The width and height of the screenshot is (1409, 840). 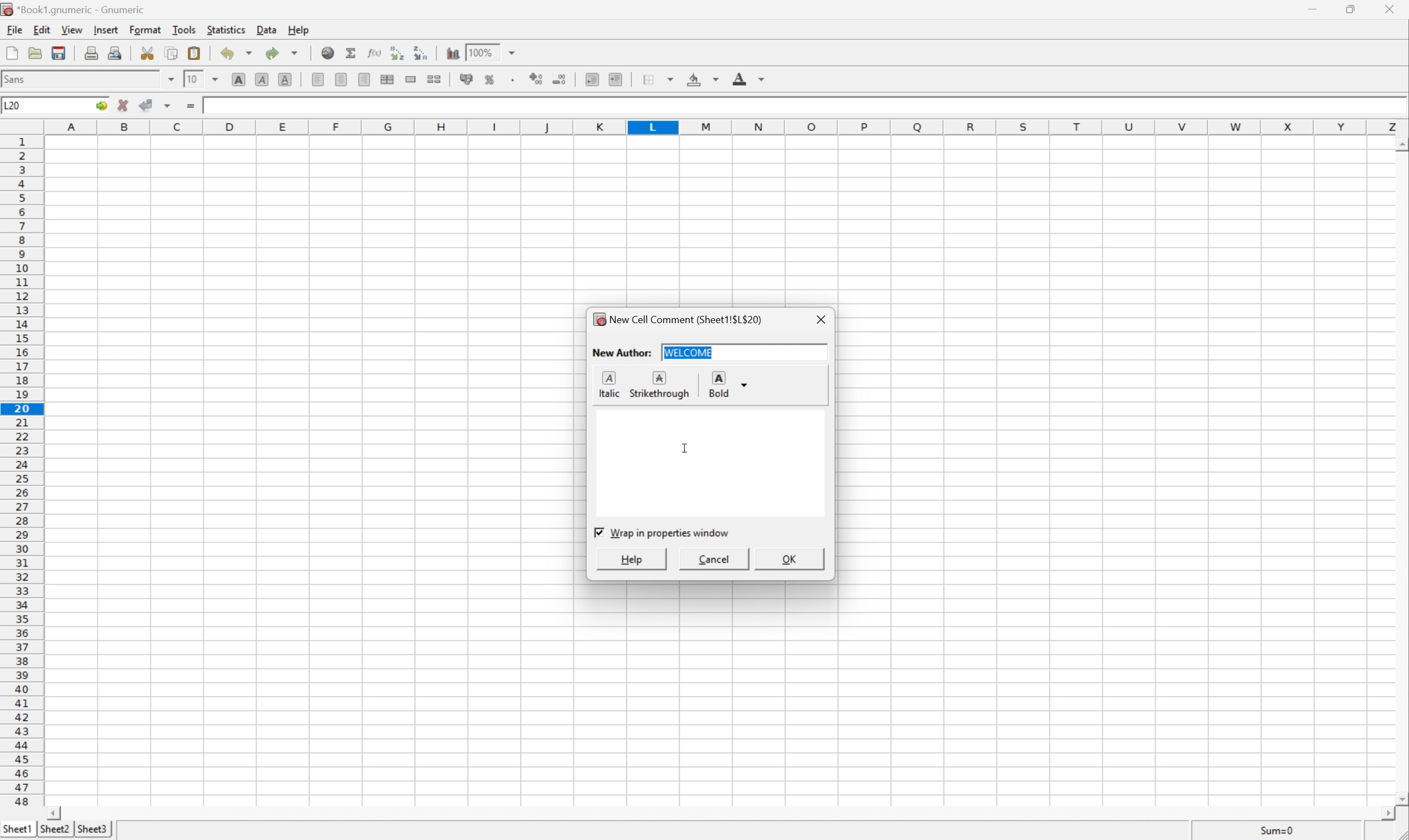 What do you see at coordinates (411, 80) in the screenshot?
I see `Merge a range of cells` at bounding box center [411, 80].